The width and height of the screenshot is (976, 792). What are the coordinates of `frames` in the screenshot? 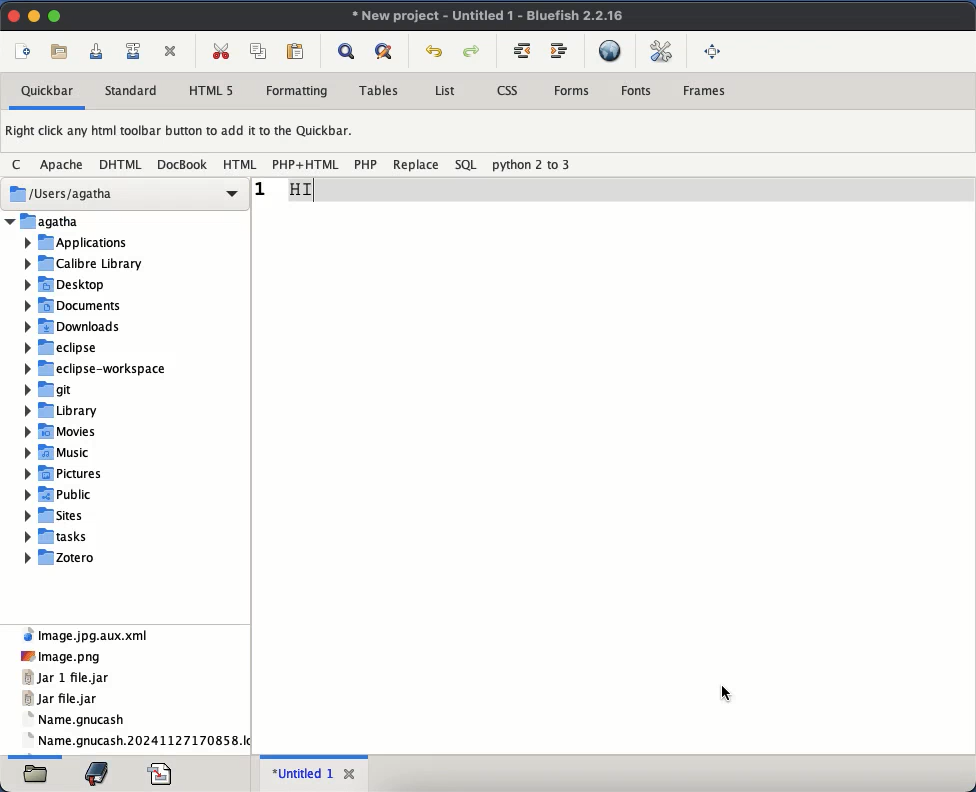 It's located at (705, 90).